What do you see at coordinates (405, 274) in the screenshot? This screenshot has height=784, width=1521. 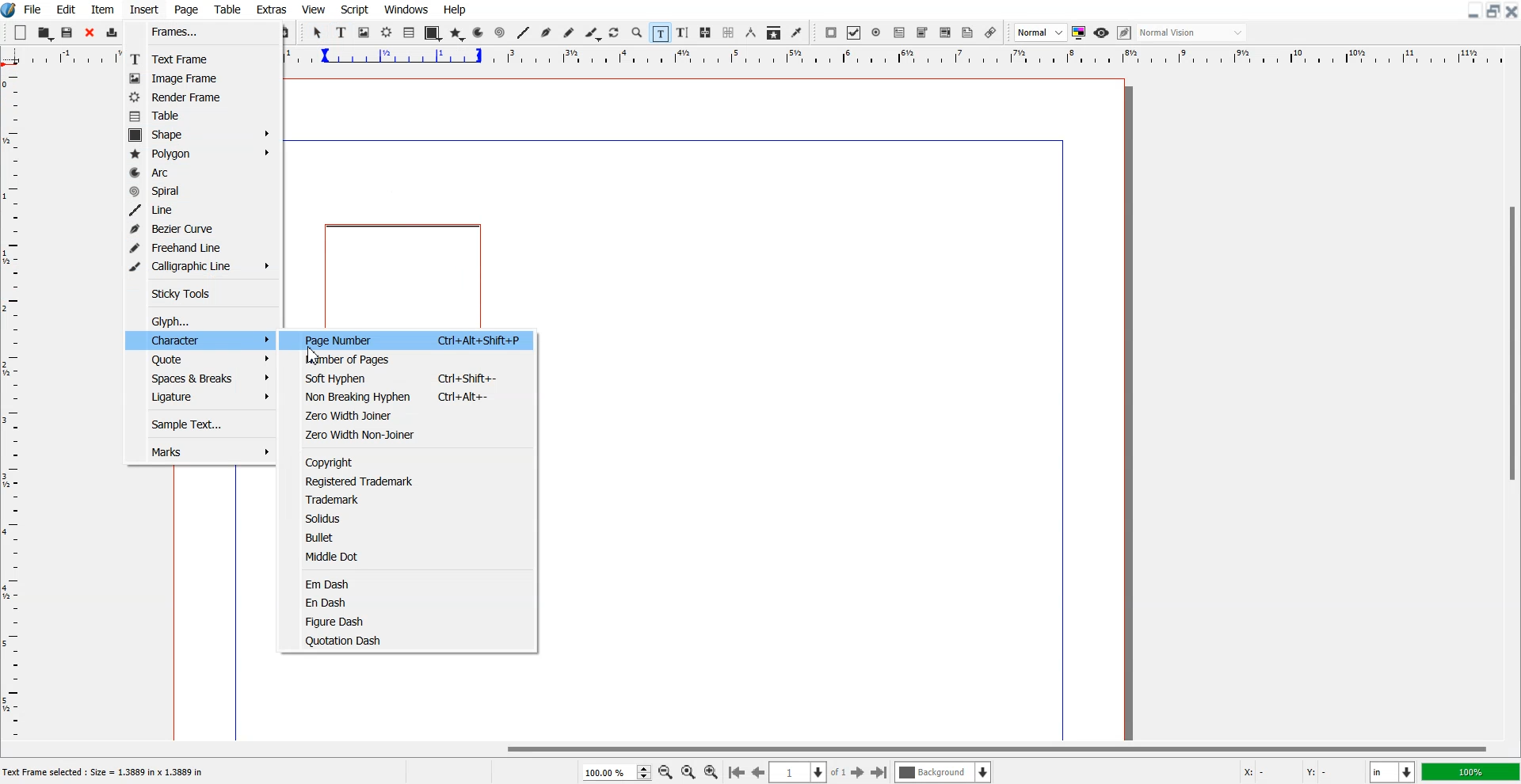 I see `text frame` at bounding box center [405, 274].